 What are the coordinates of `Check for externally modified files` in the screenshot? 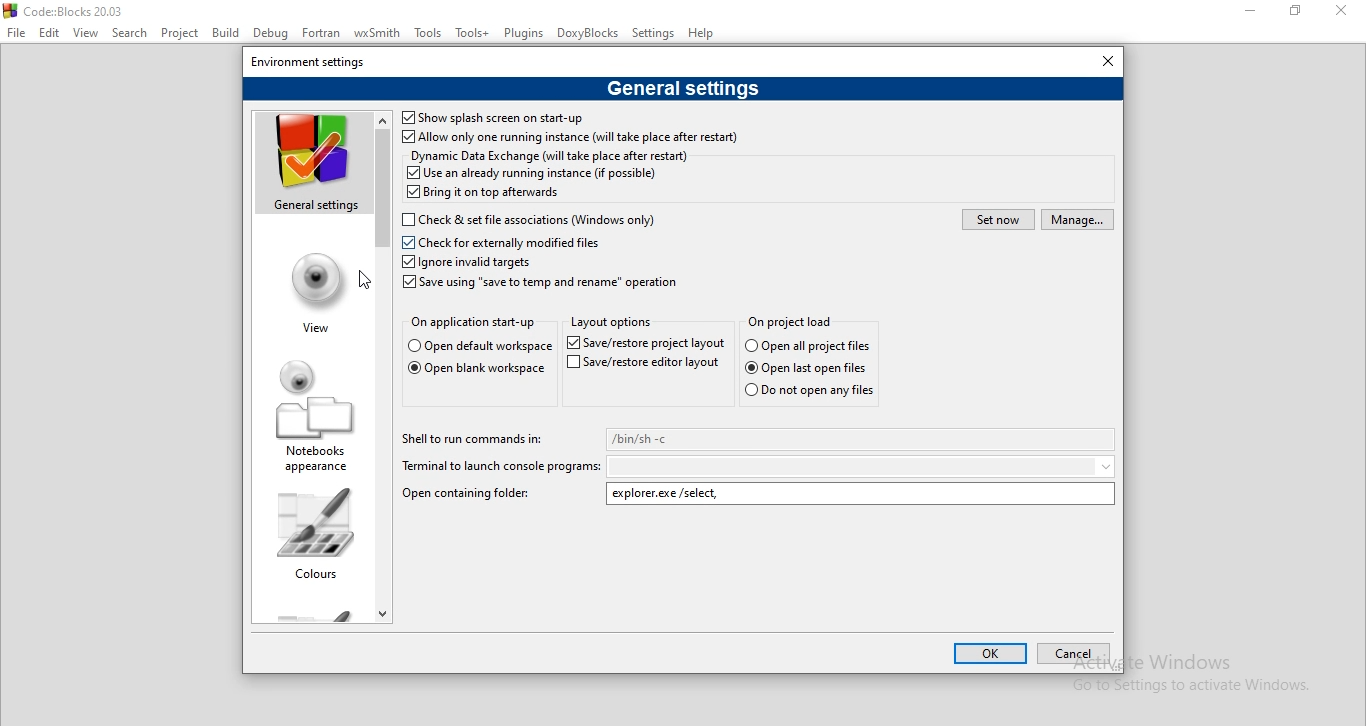 It's located at (530, 219).